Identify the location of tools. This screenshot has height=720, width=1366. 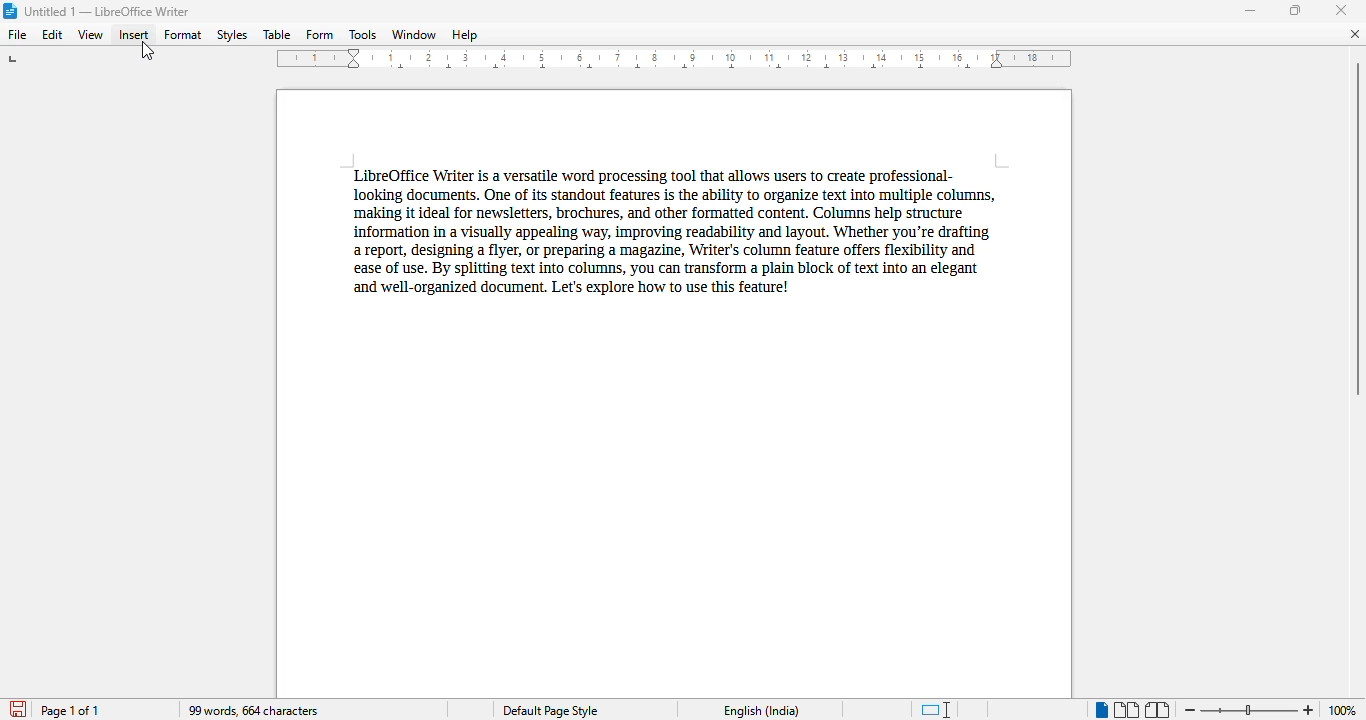
(362, 35).